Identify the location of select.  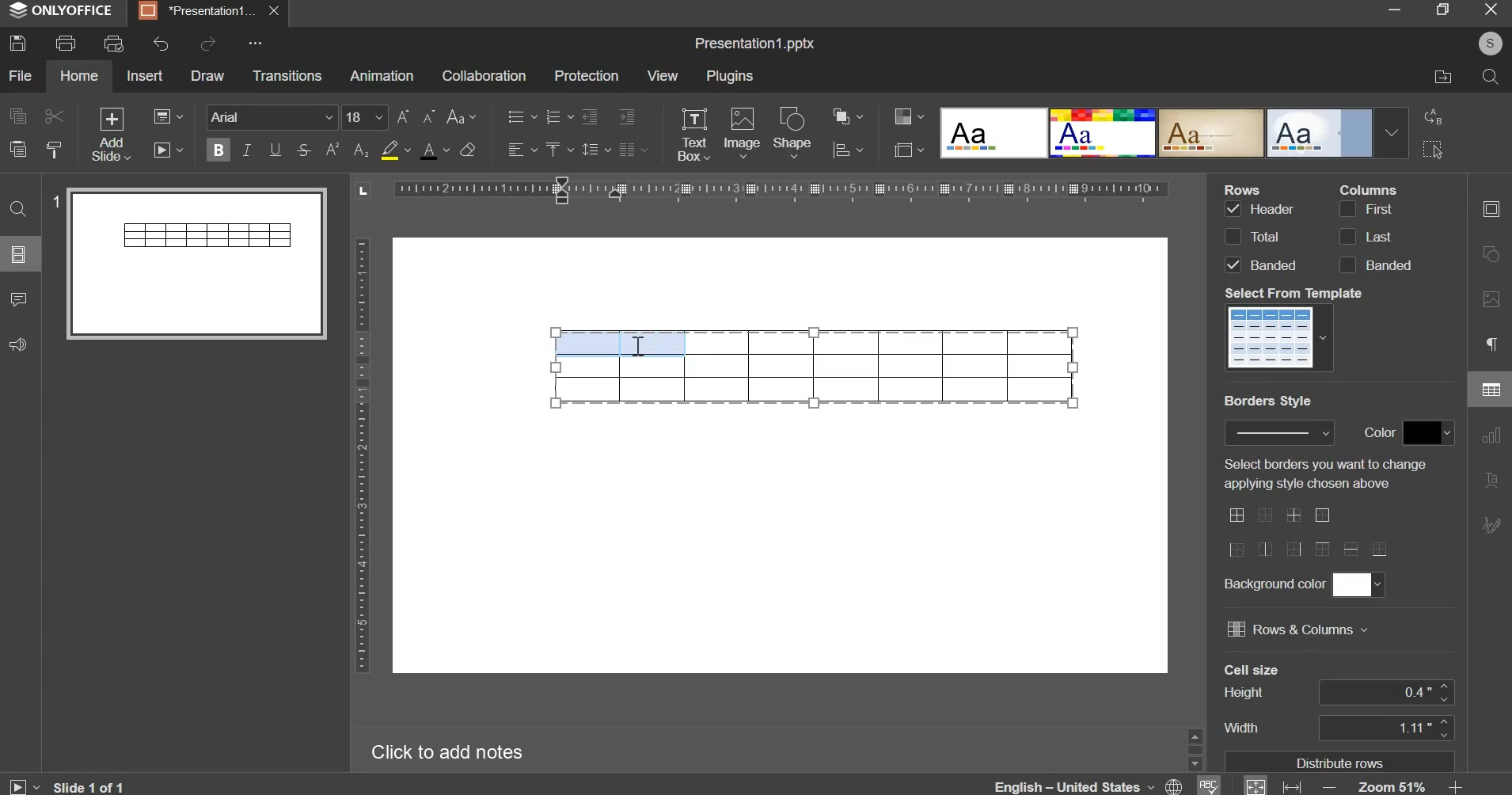
(1433, 151).